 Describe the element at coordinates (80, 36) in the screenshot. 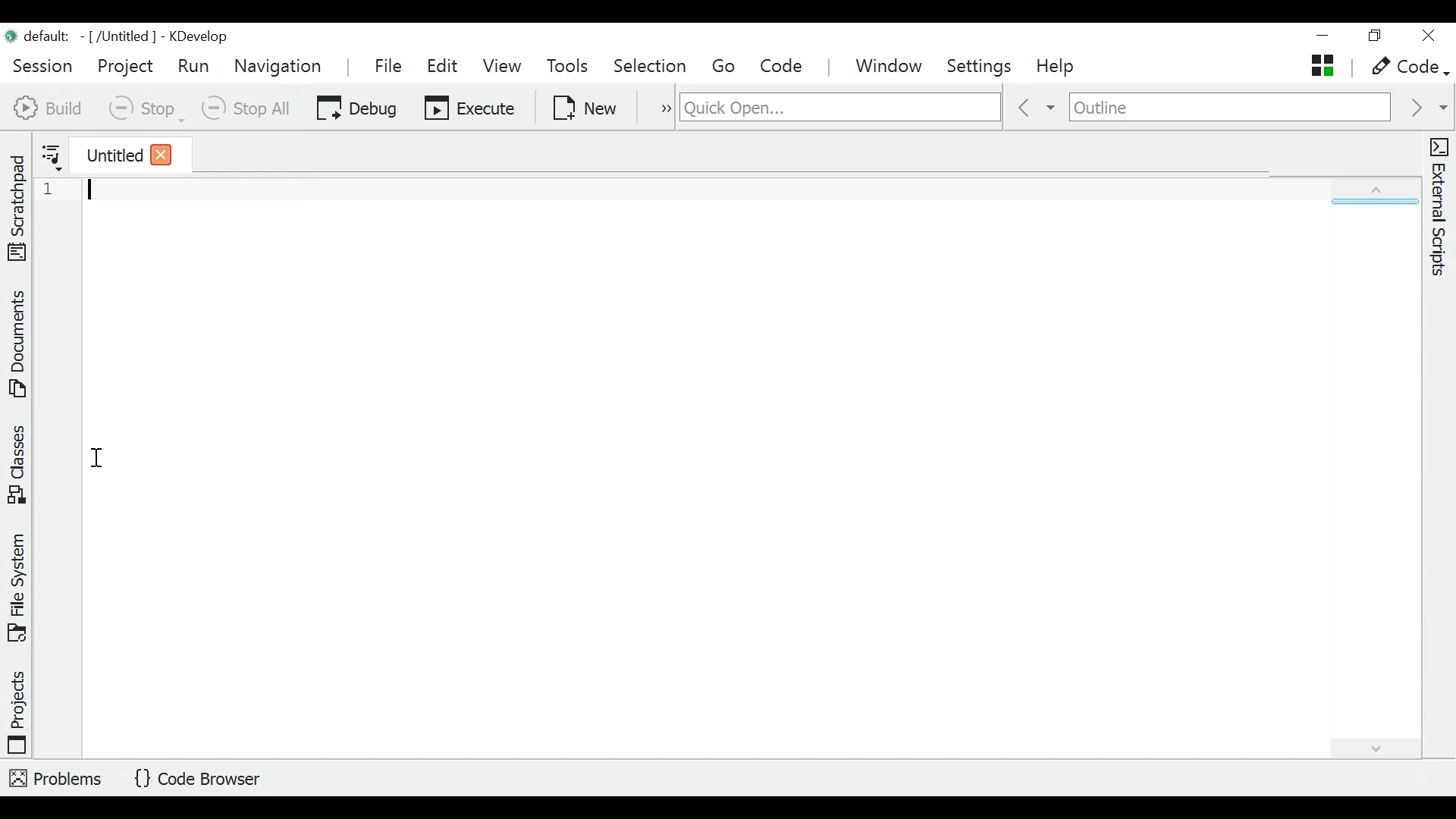

I see `File name` at that location.